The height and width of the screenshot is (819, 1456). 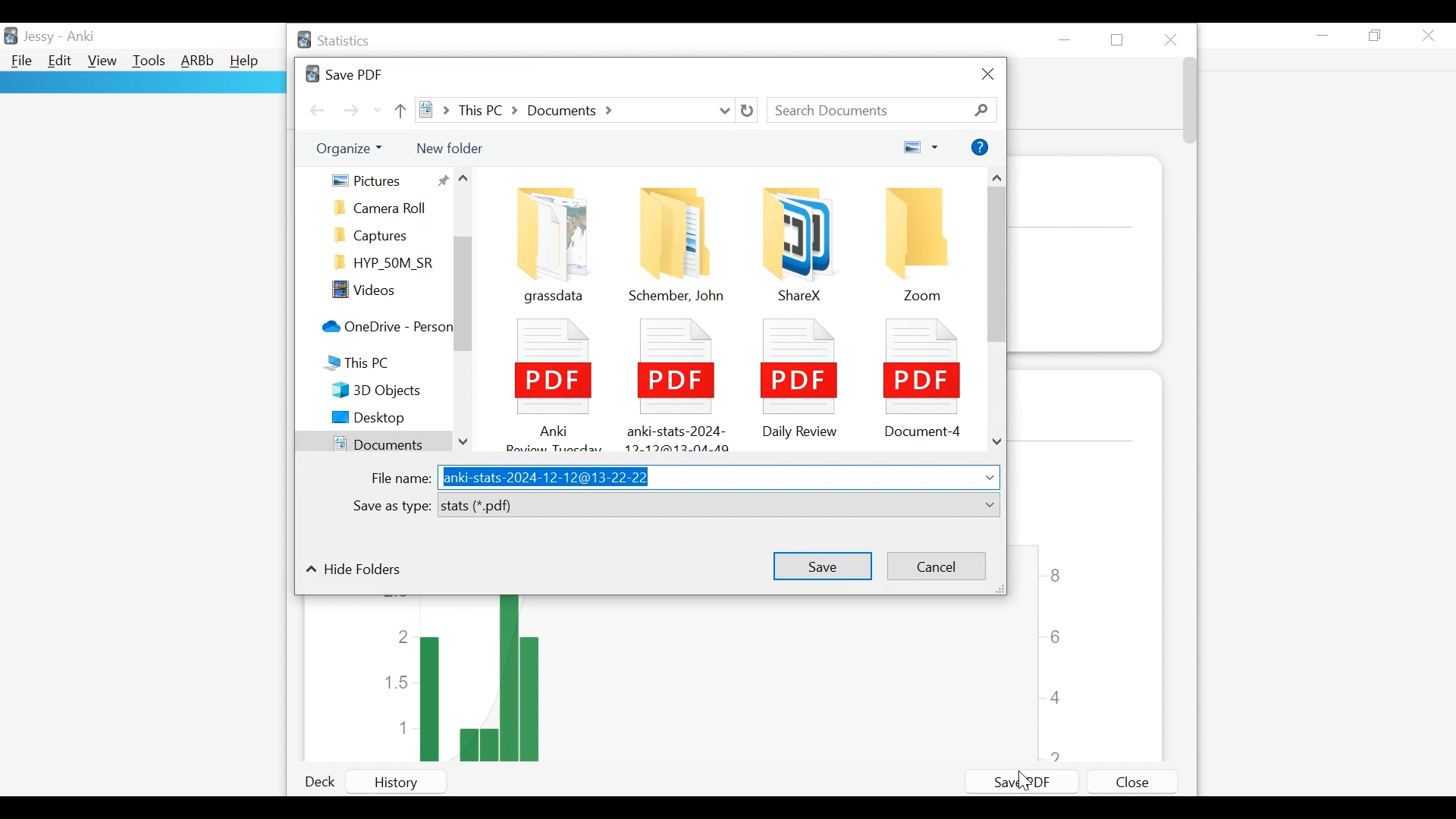 What do you see at coordinates (1023, 780) in the screenshot?
I see `Save PDF` at bounding box center [1023, 780].